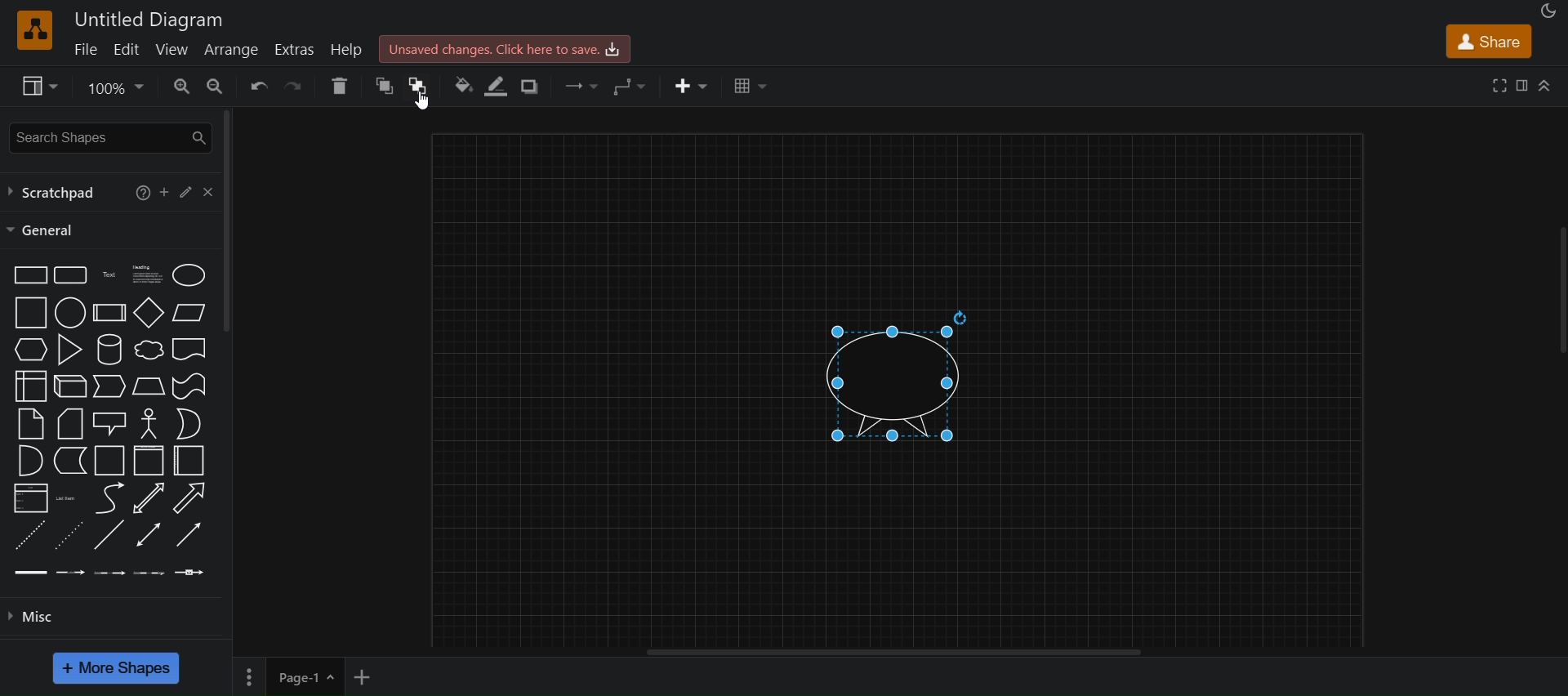  Describe the element at coordinates (116, 87) in the screenshot. I see `zoom` at that location.